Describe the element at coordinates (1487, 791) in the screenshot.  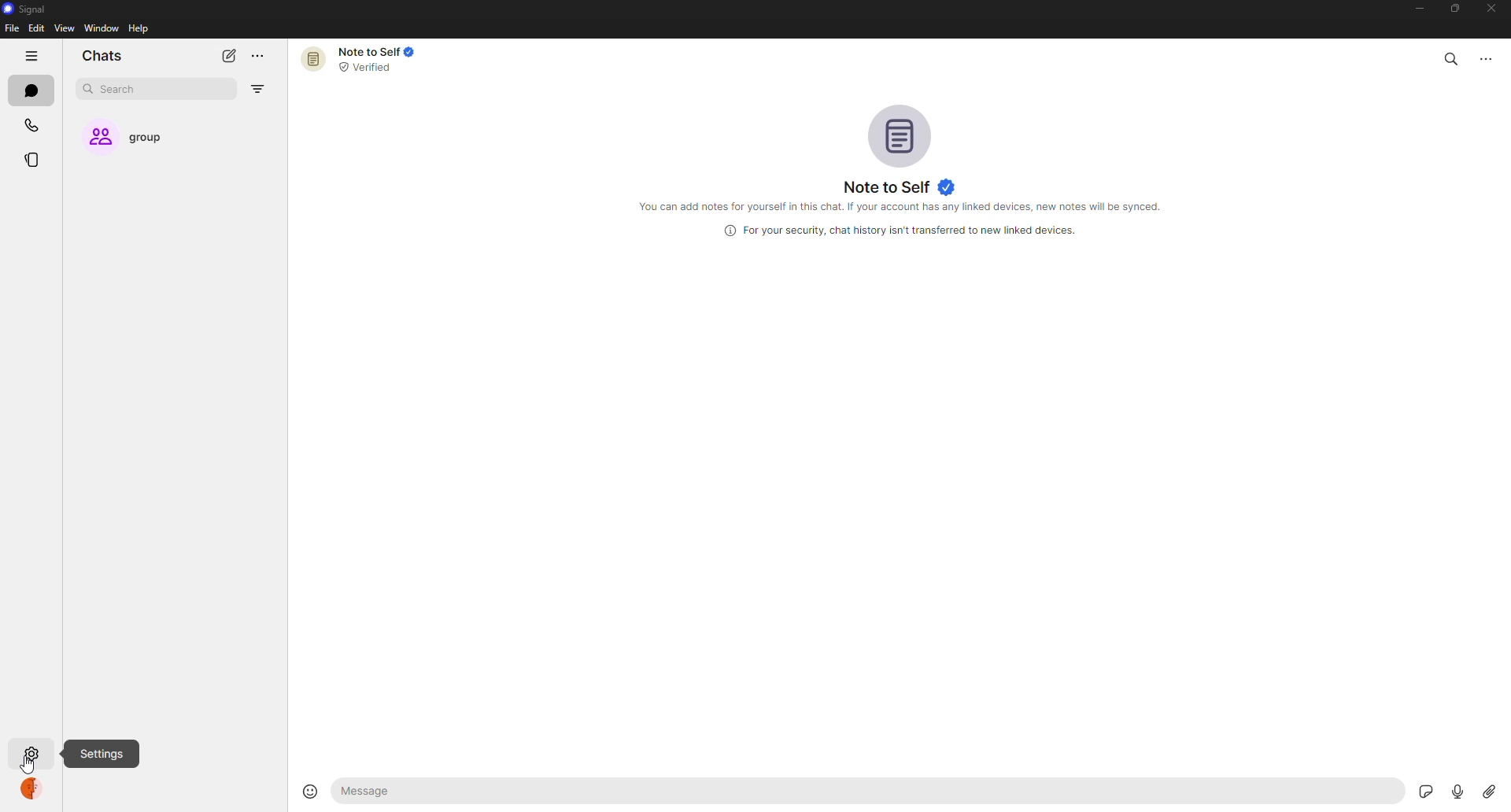
I see `attach` at that location.